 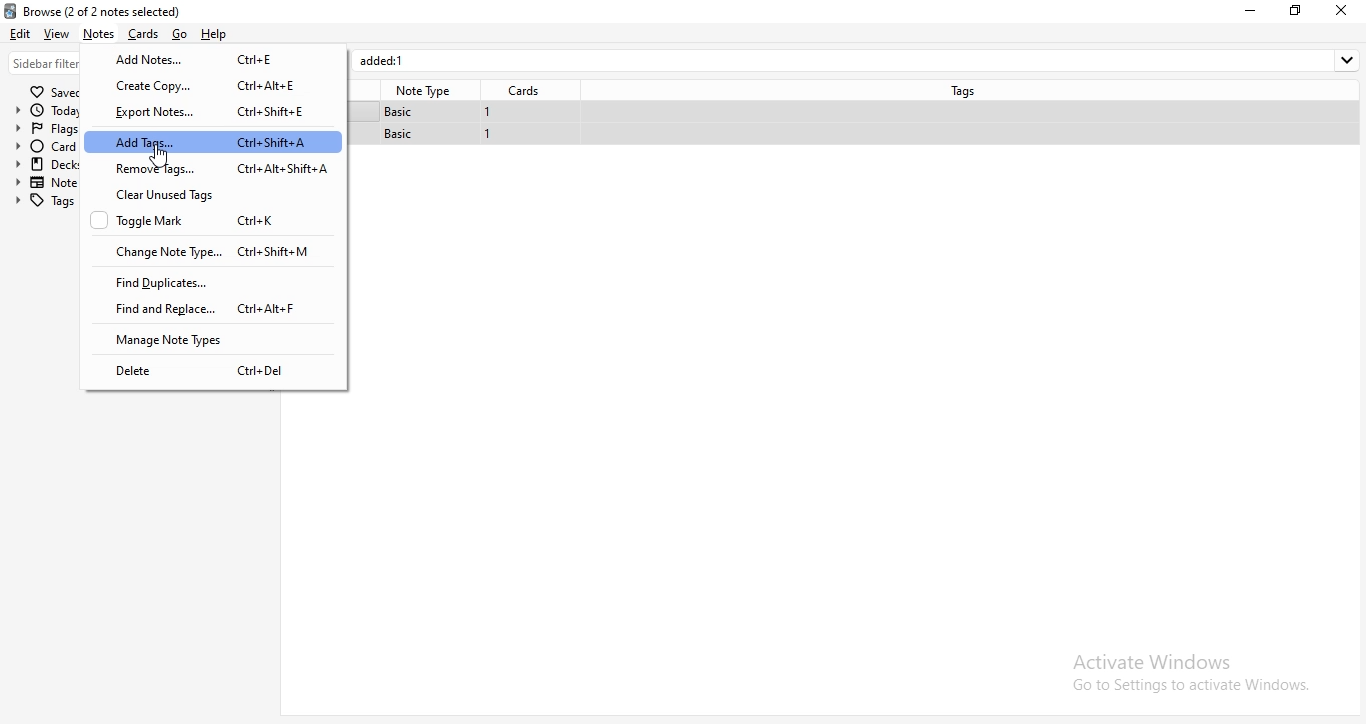 I want to click on restore, so click(x=1296, y=10).